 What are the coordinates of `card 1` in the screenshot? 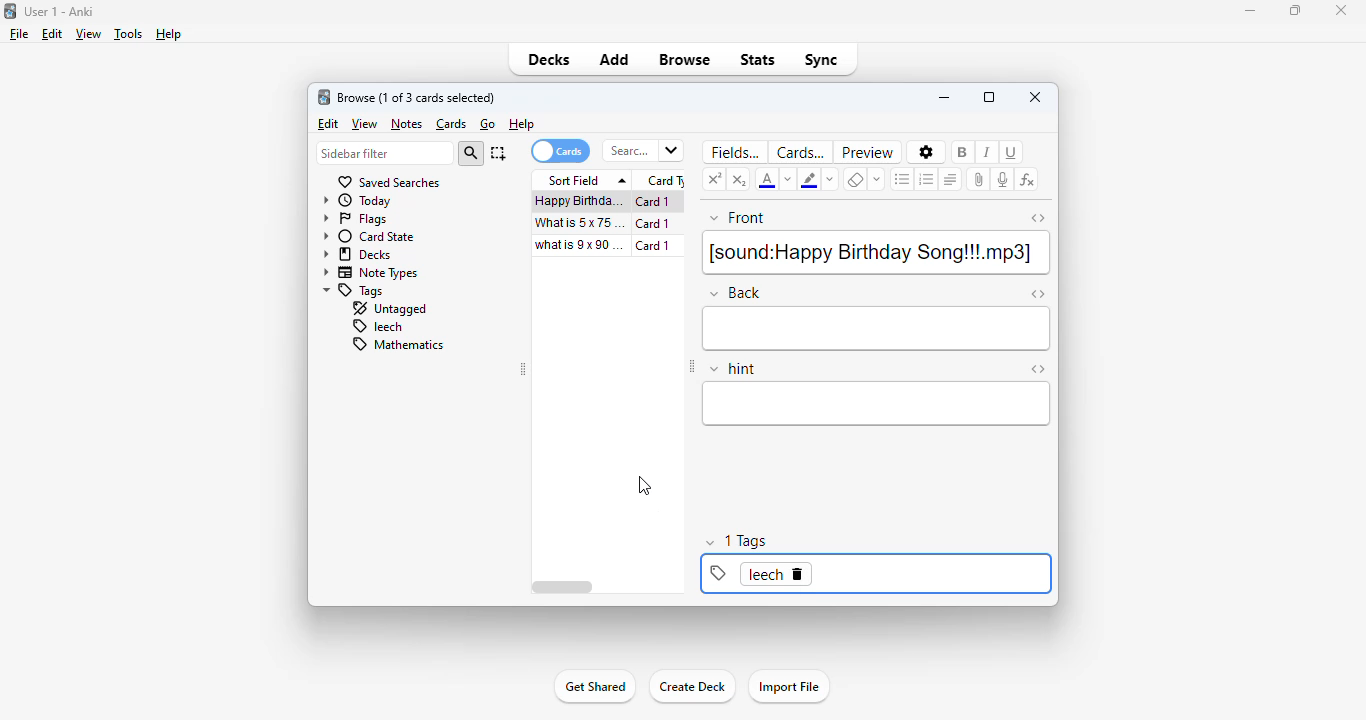 It's located at (657, 202).